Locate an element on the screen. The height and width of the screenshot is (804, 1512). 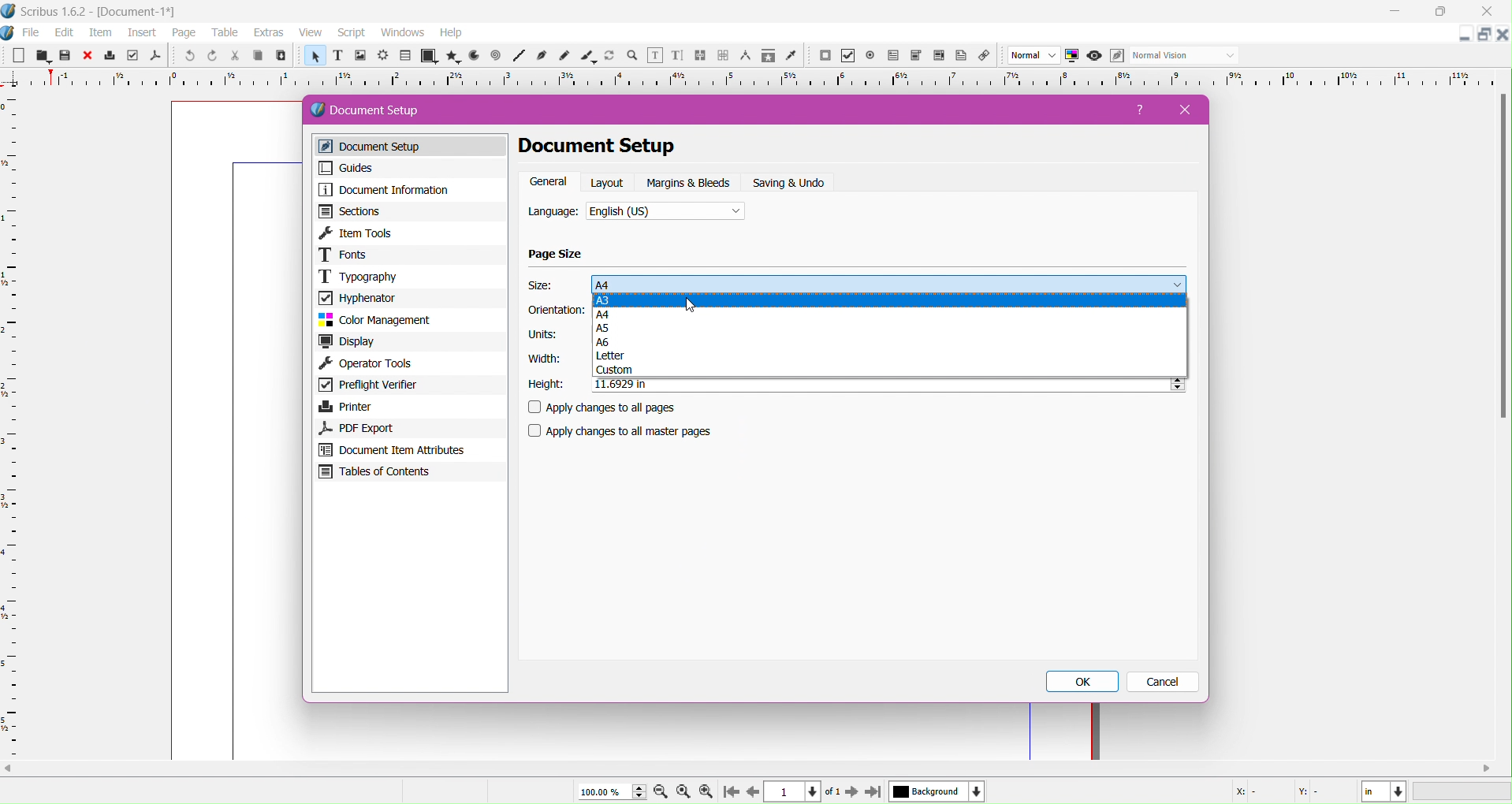
calligraphic lines is located at coordinates (588, 57).